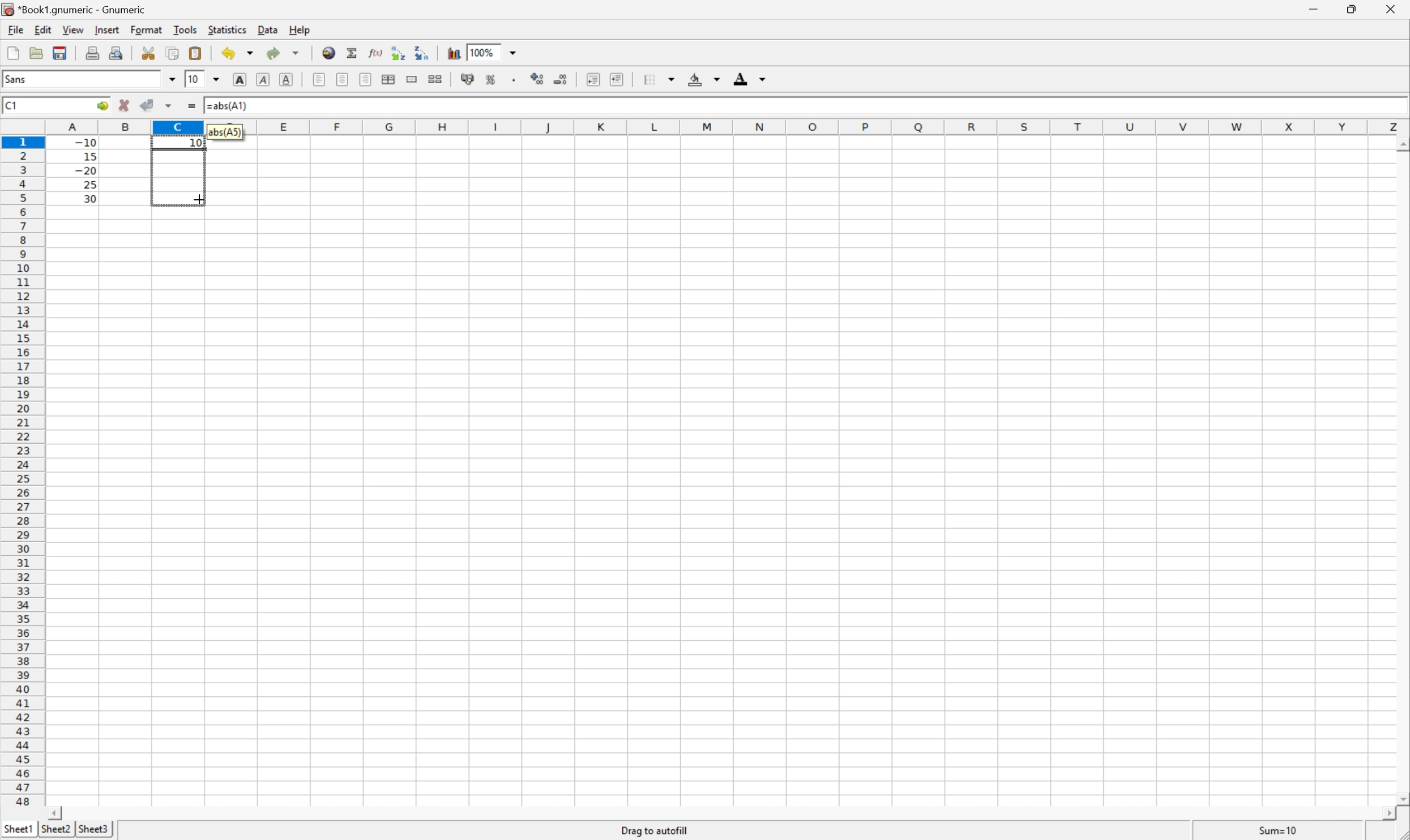 This screenshot has width=1410, height=840. What do you see at coordinates (18, 79) in the screenshot?
I see `Sans` at bounding box center [18, 79].